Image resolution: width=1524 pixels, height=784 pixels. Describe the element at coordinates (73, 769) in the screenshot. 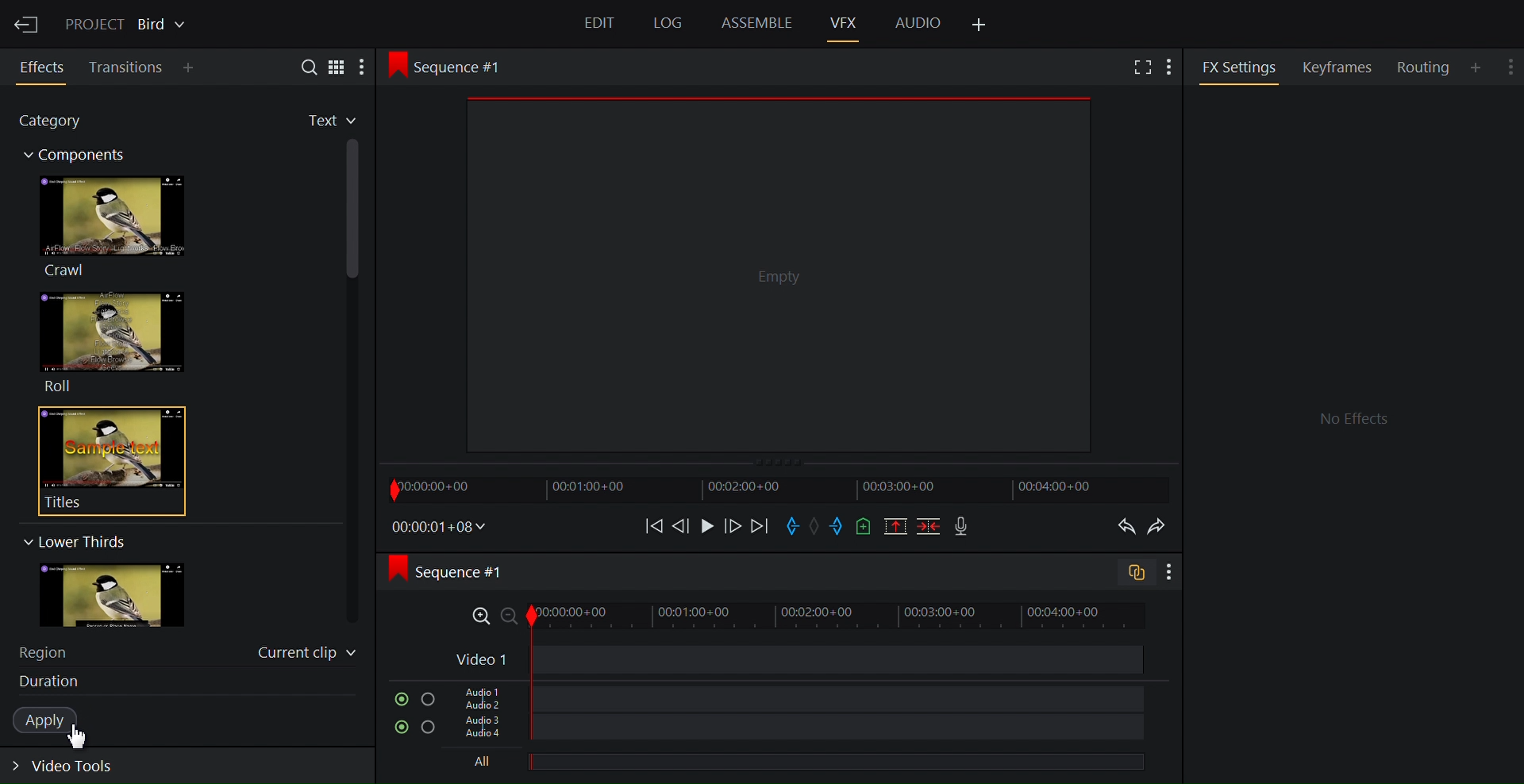

I see `Expand video tools` at that location.